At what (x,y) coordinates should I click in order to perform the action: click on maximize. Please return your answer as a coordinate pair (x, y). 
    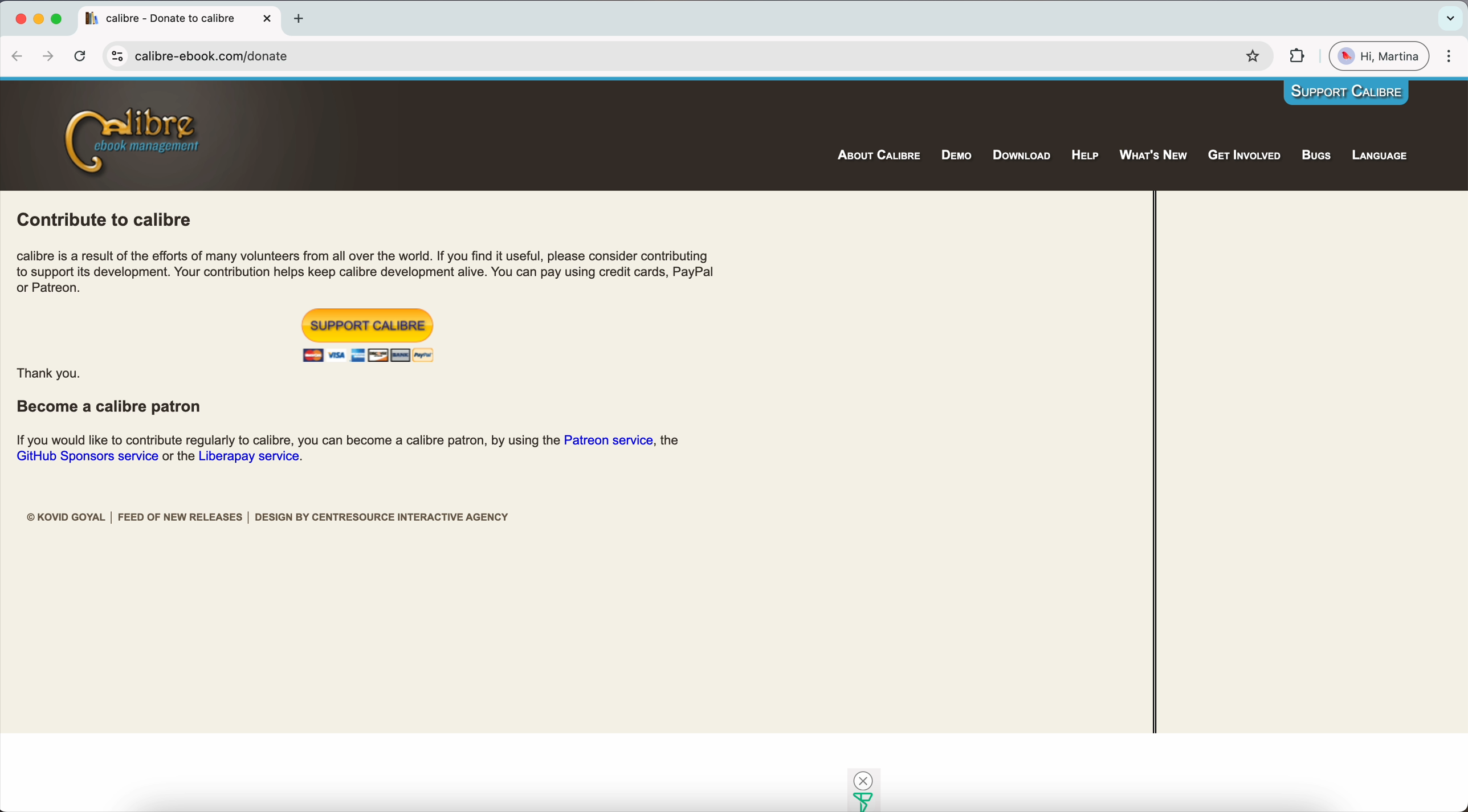
    Looking at the image, I should click on (56, 14).